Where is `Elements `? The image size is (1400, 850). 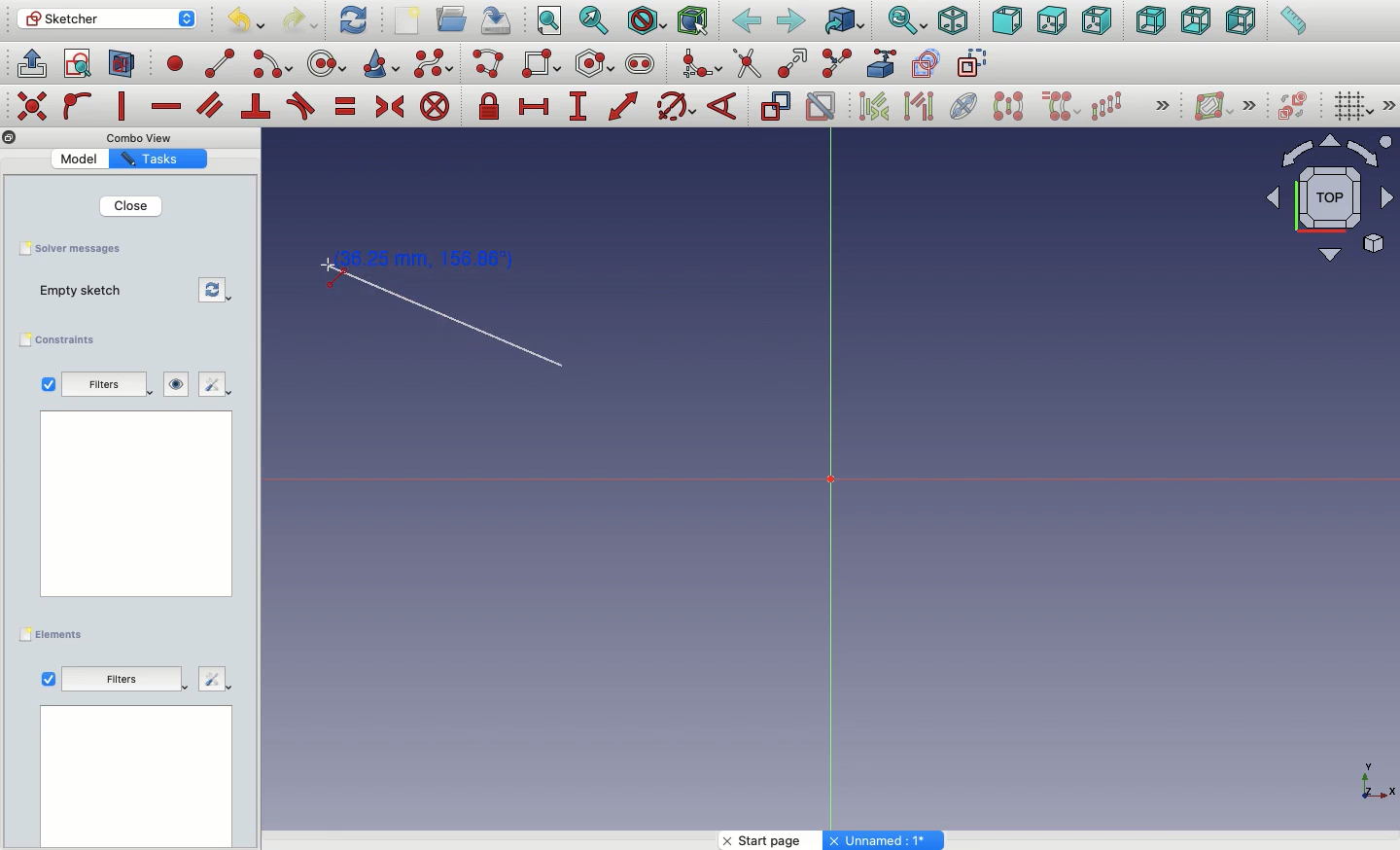 Elements  is located at coordinates (55, 633).